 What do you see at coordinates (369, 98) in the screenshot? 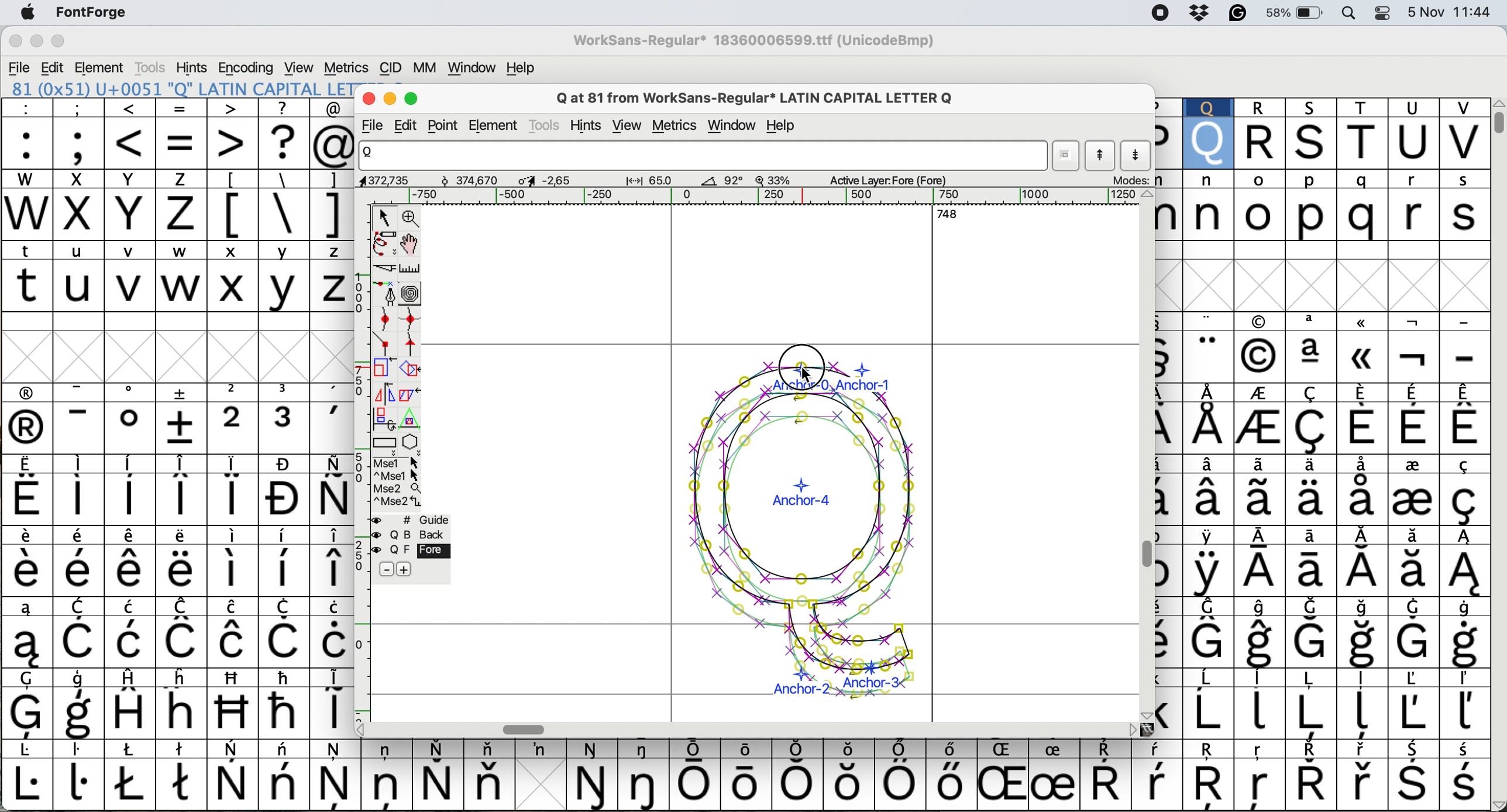
I see `close` at bounding box center [369, 98].